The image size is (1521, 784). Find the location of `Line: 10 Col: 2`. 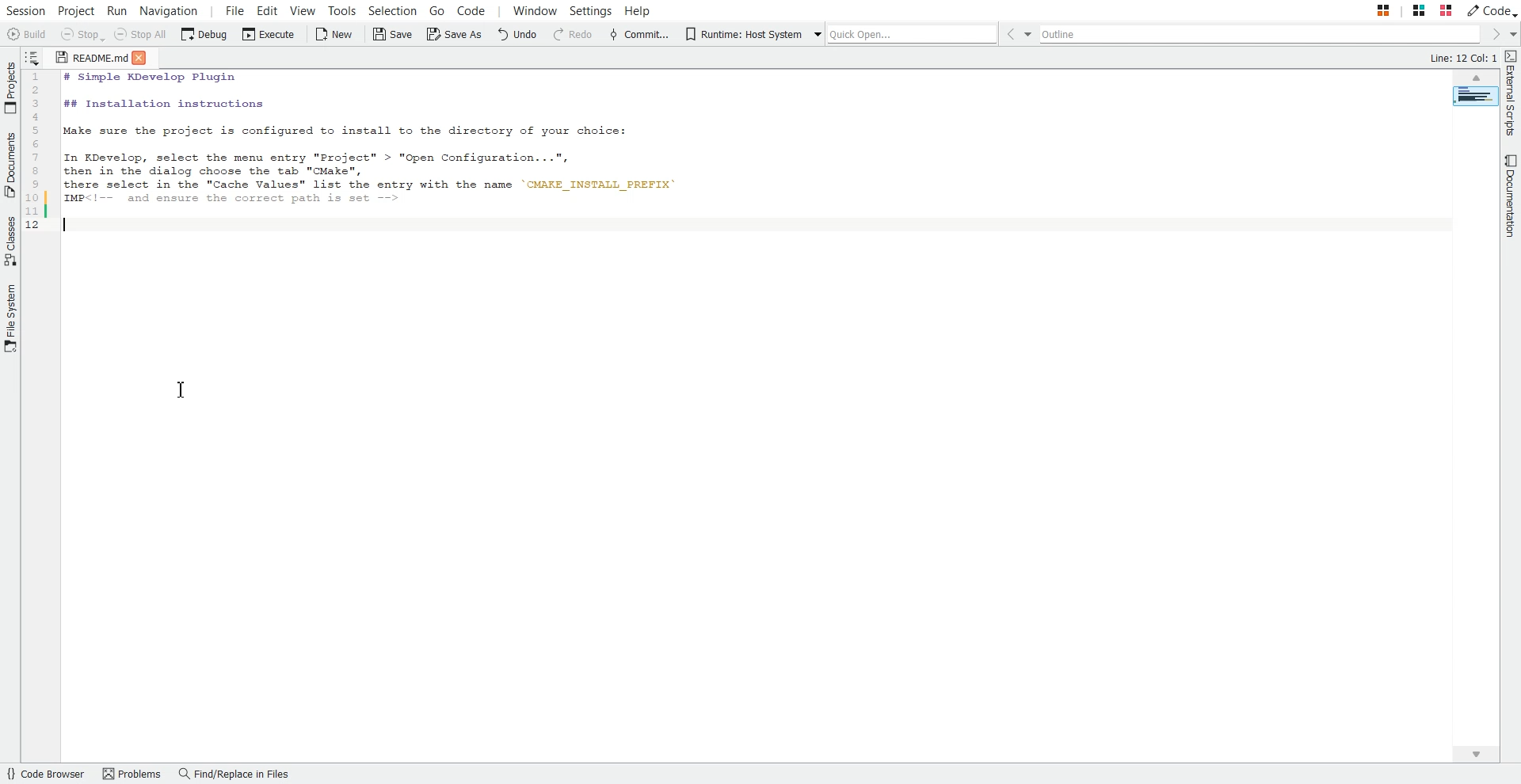

Line: 10 Col: 2 is located at coordinates (1464, 56).